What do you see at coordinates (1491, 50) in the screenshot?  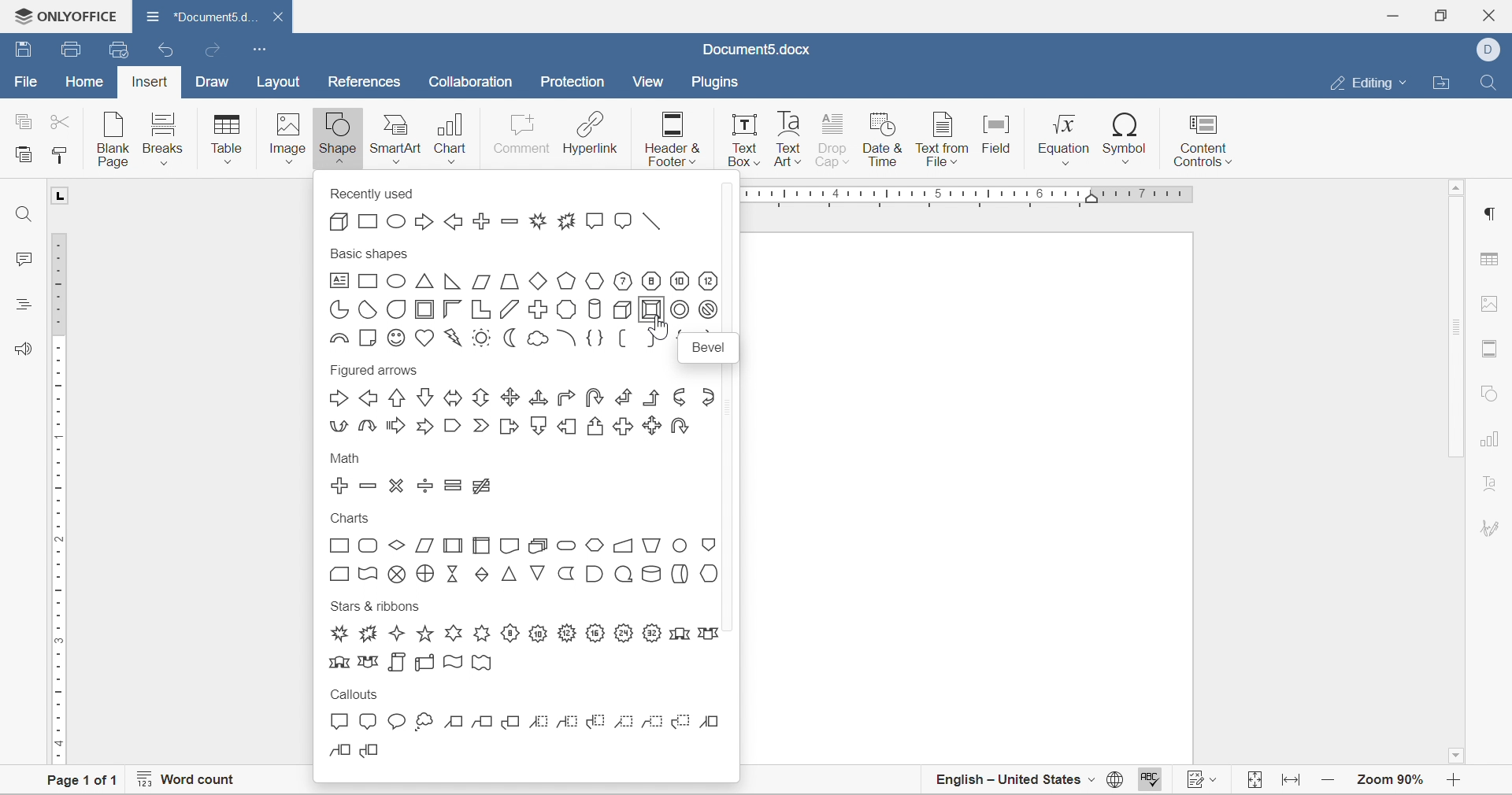 I see `dell` at bounding box center [1491, 50].